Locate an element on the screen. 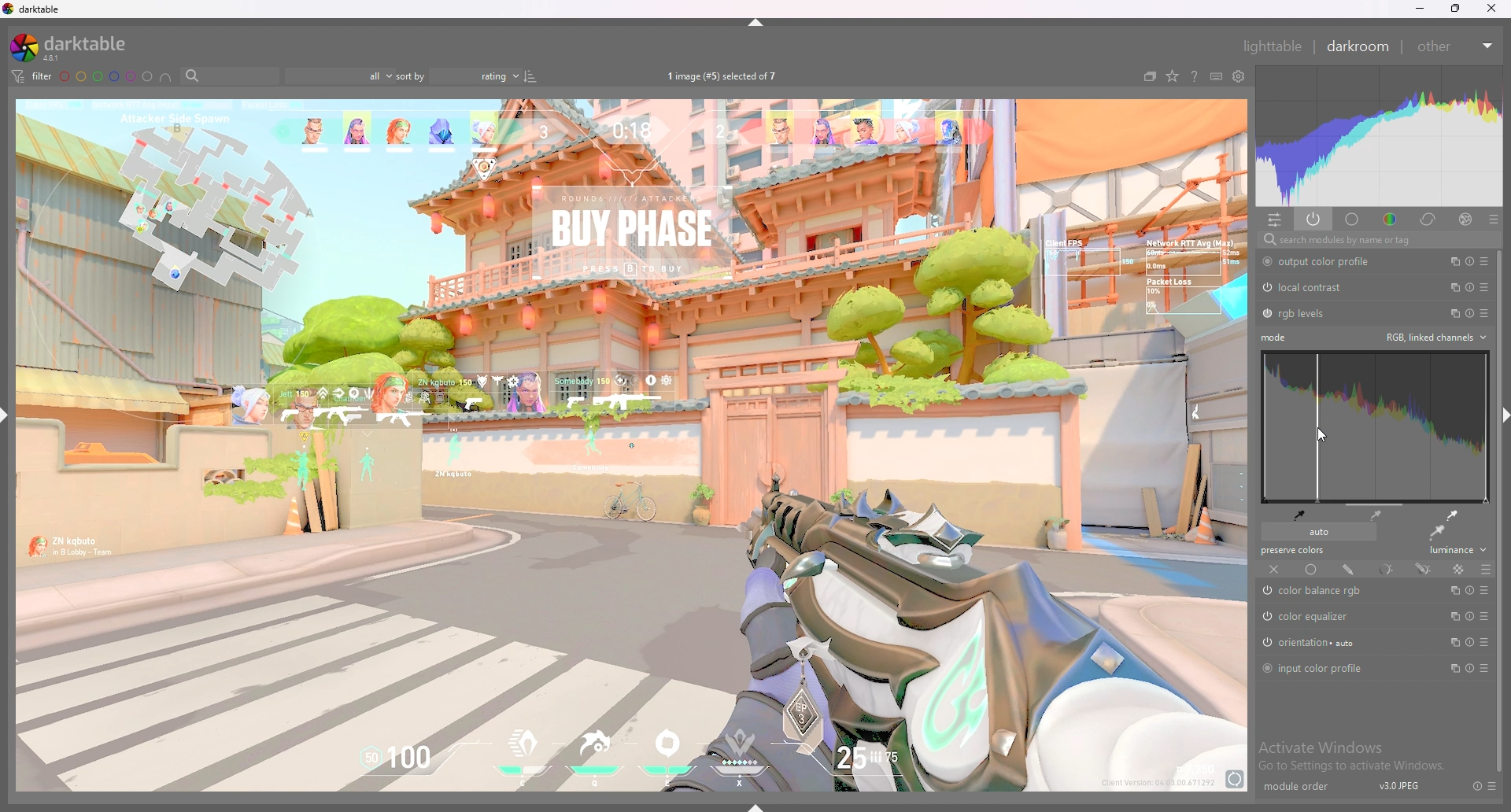  input color profile is located at coordinates (1321, 668).